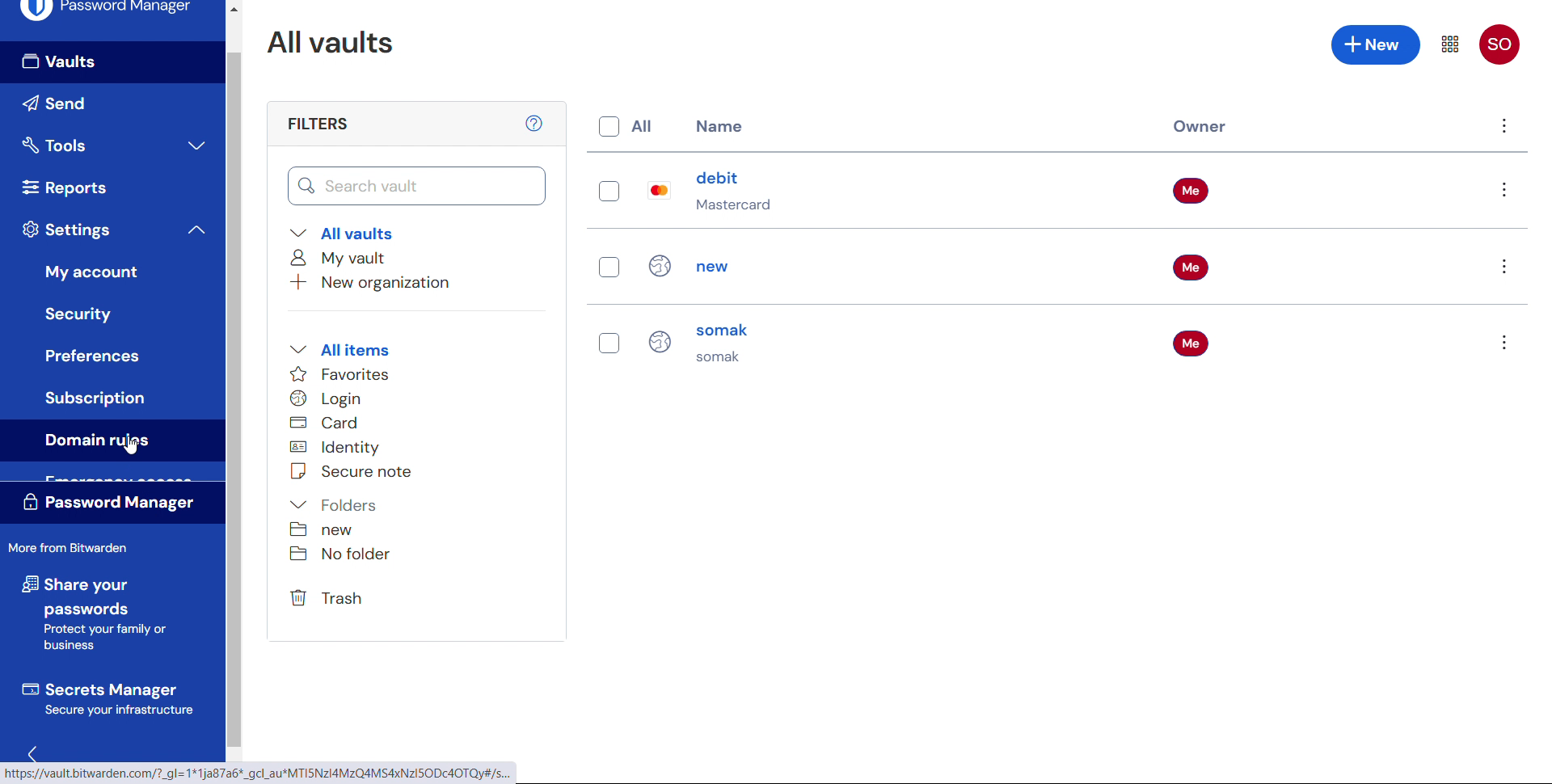 This screenshot has width=1552, height=784. I want to click on debit Mastercard, so click(739, 192).